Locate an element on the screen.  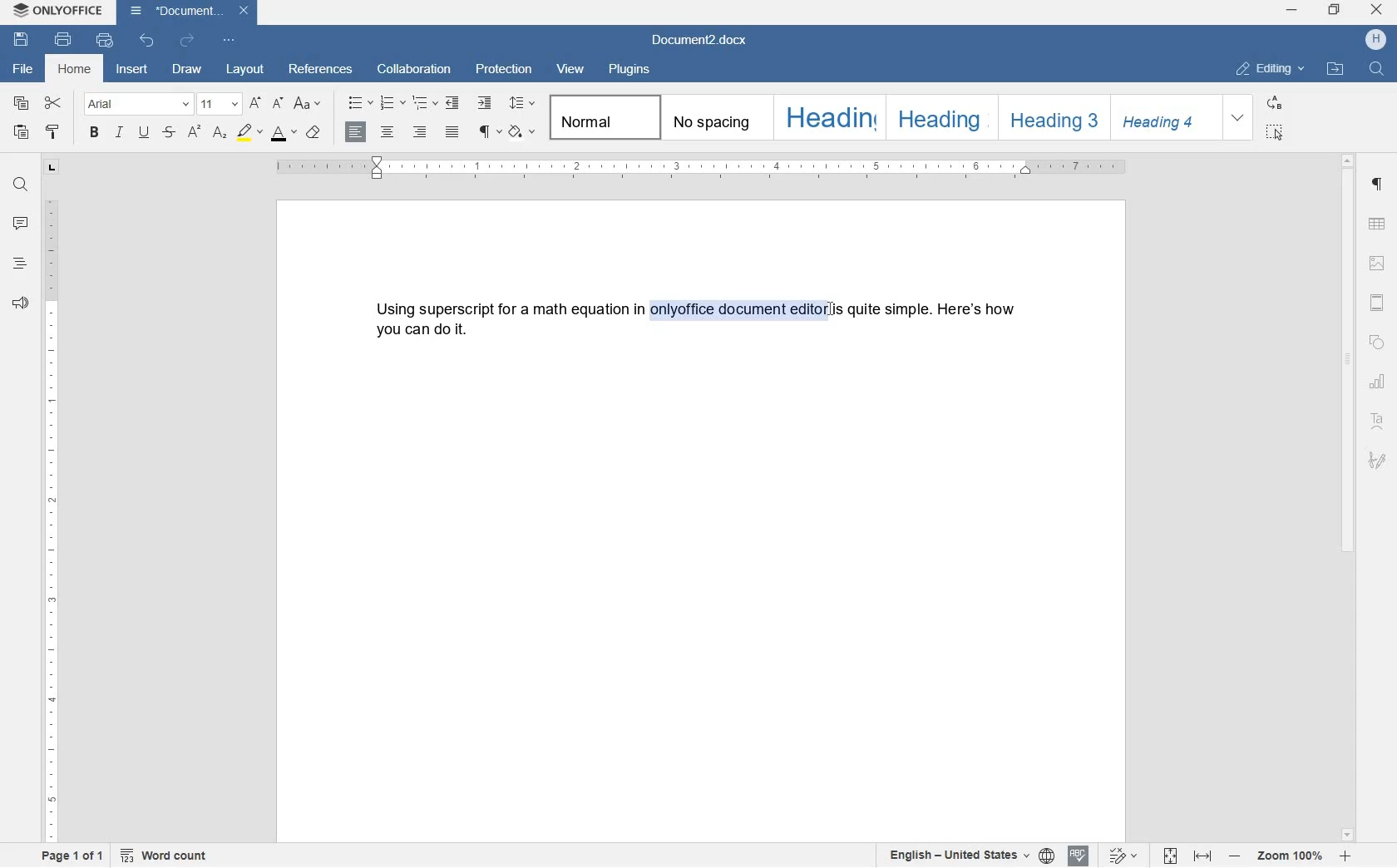
track changes is located at coordinates (1118, 856).